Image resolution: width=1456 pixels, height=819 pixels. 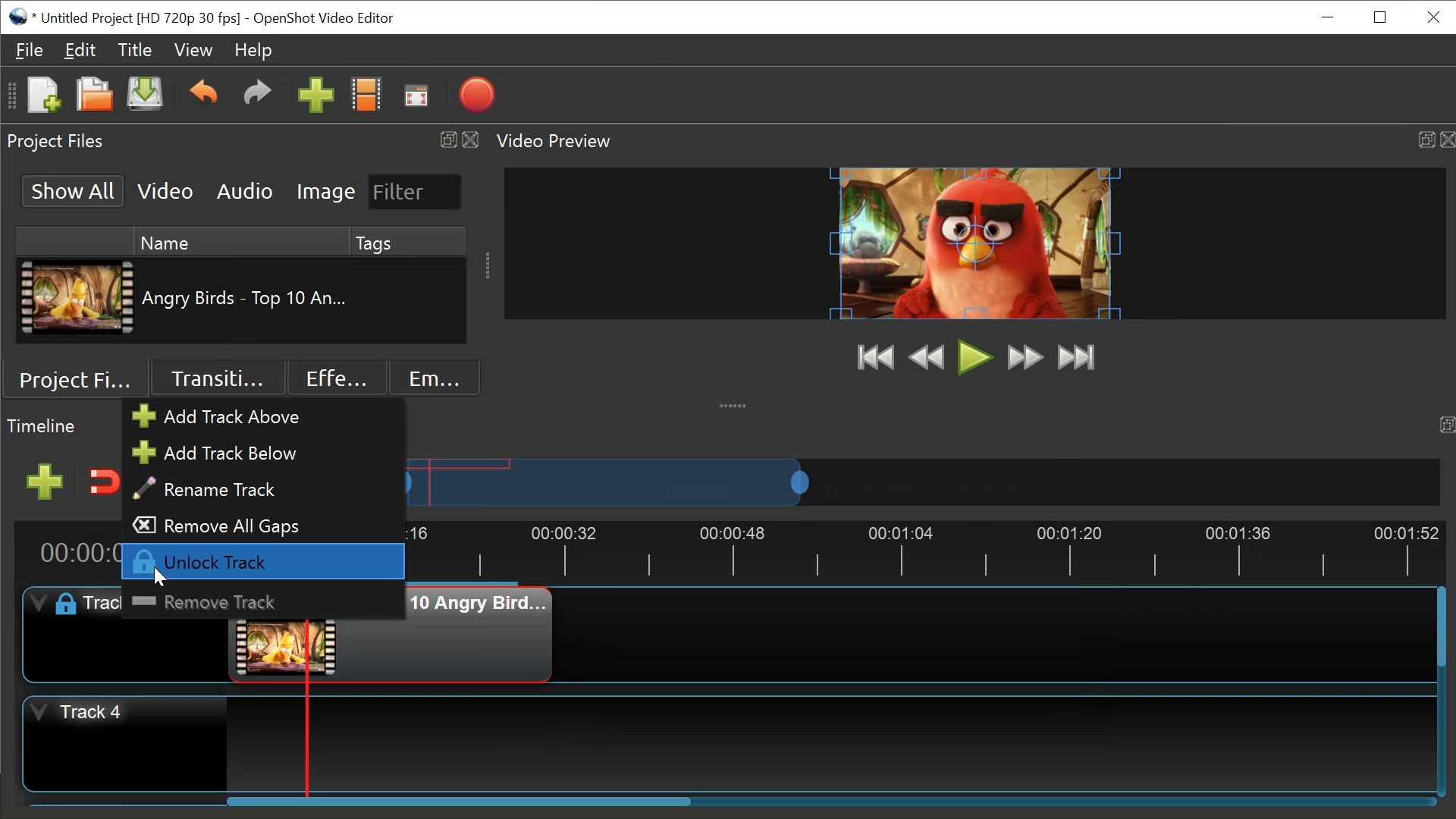 I want to click on Export Video, so click(x=477, y=96).